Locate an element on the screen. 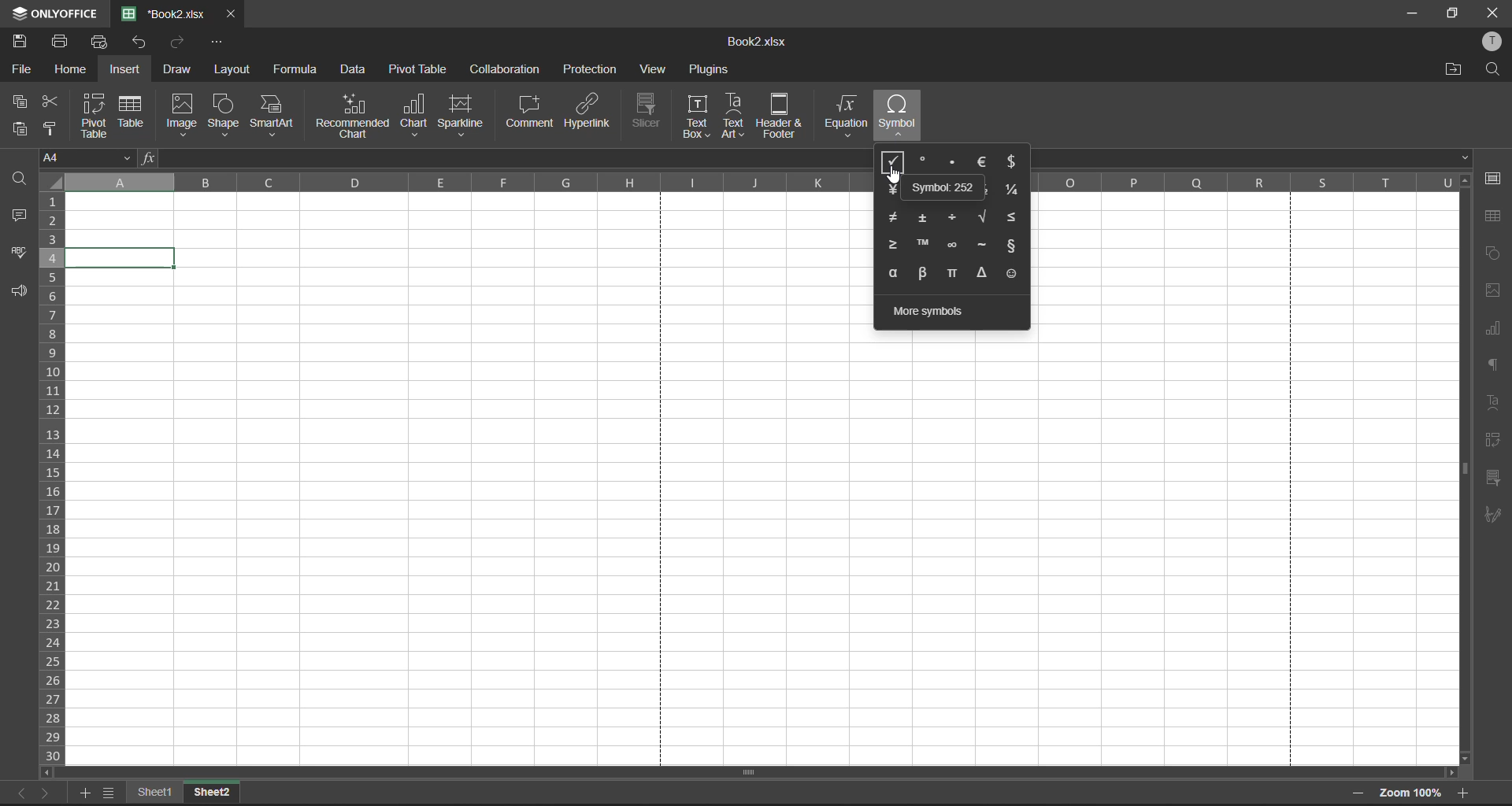 The image size is (1512, 806). infinity is located at coordinates (952, 247).